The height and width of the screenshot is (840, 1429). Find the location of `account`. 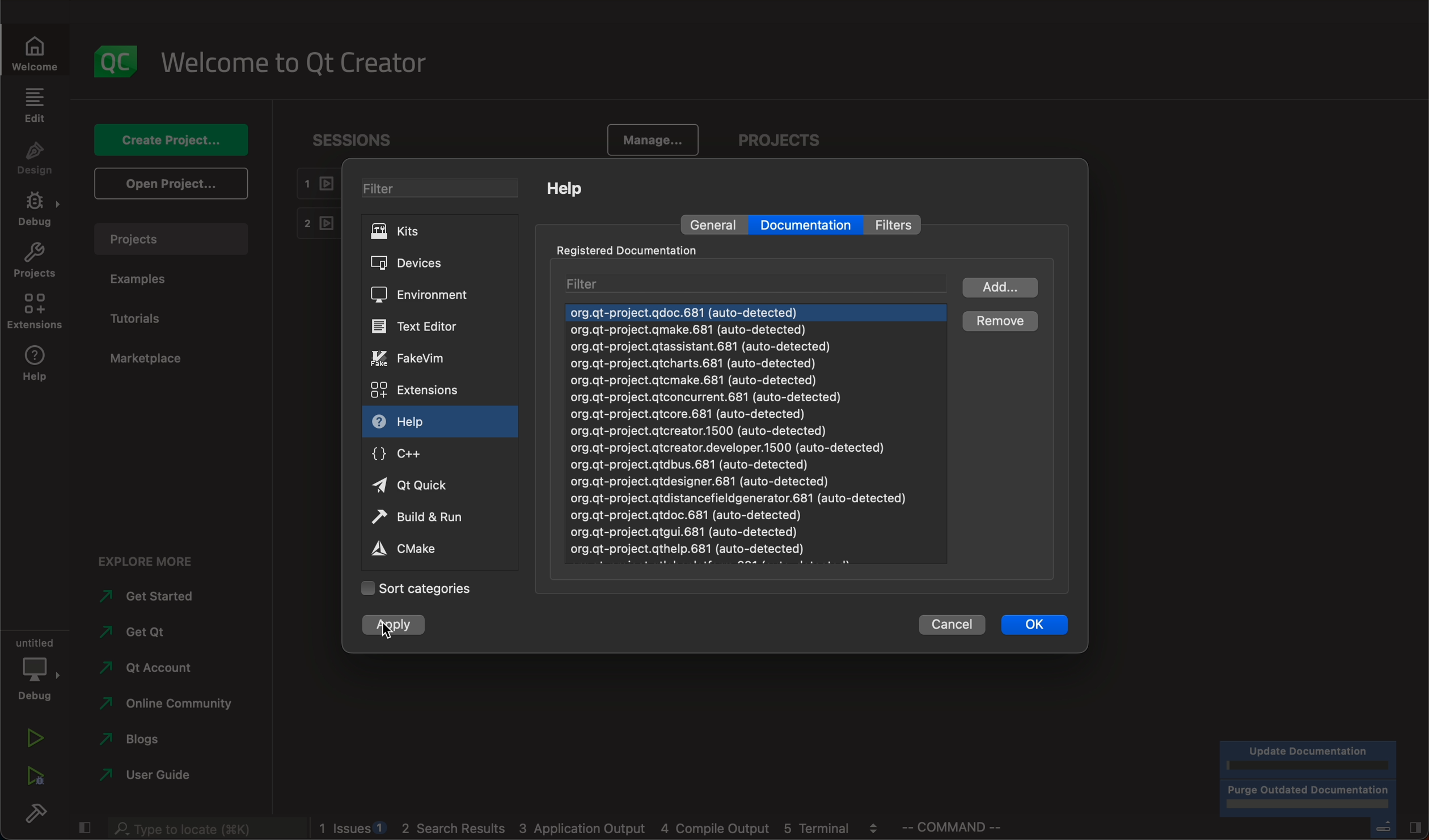

account is located at coordinates (150, 669).